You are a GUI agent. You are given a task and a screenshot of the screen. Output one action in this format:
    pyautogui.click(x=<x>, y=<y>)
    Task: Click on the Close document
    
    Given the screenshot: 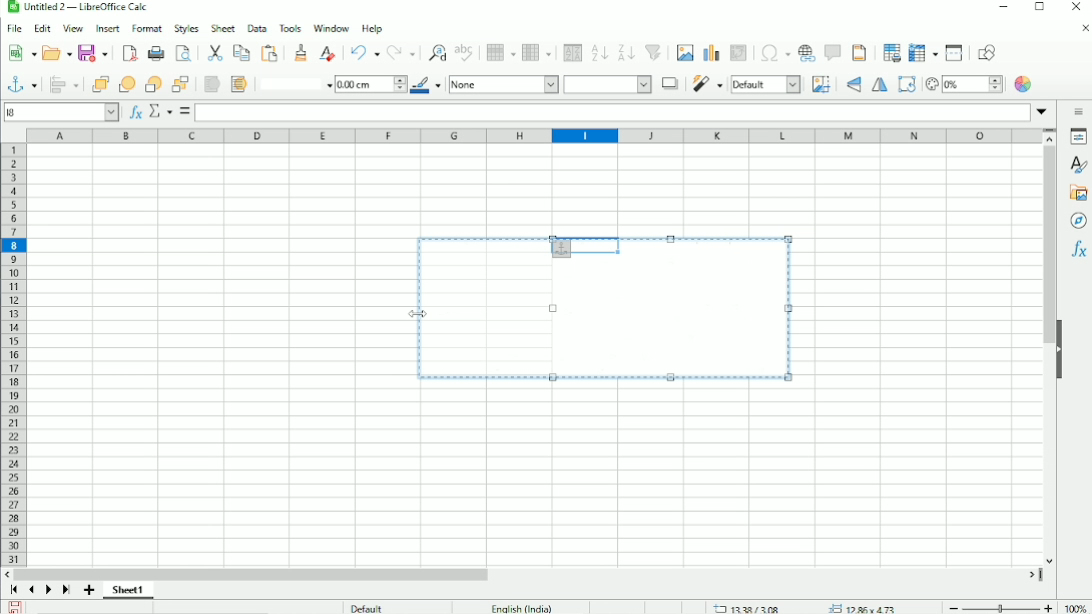 What is the action you would take?
    pyautogui.click(x=1080, y=28)
    